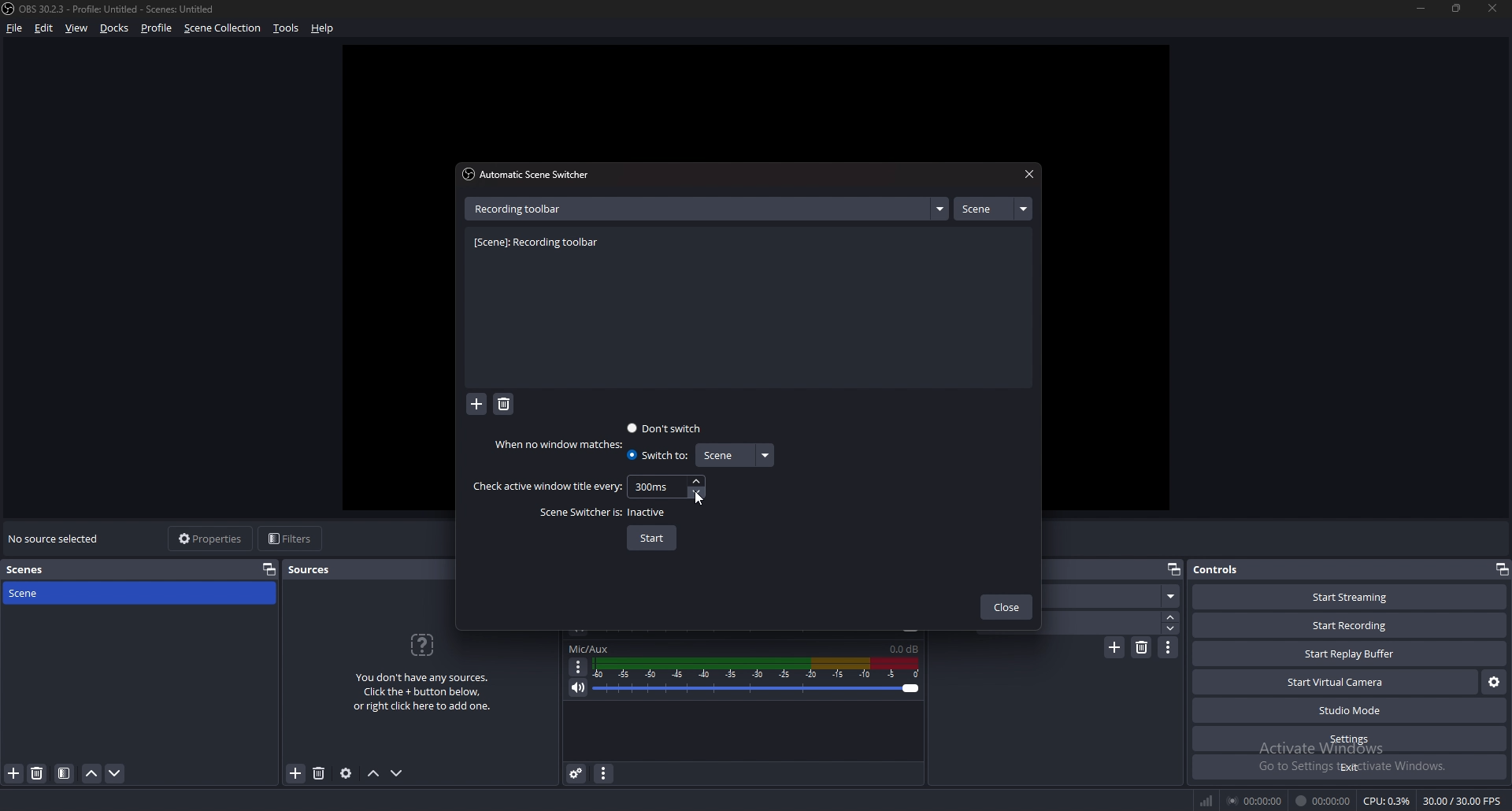 The height and width of the screenshot is (811, 1512). Describe the element at coordinates (296, 774) in the screenshot. I see `add source` at that location.